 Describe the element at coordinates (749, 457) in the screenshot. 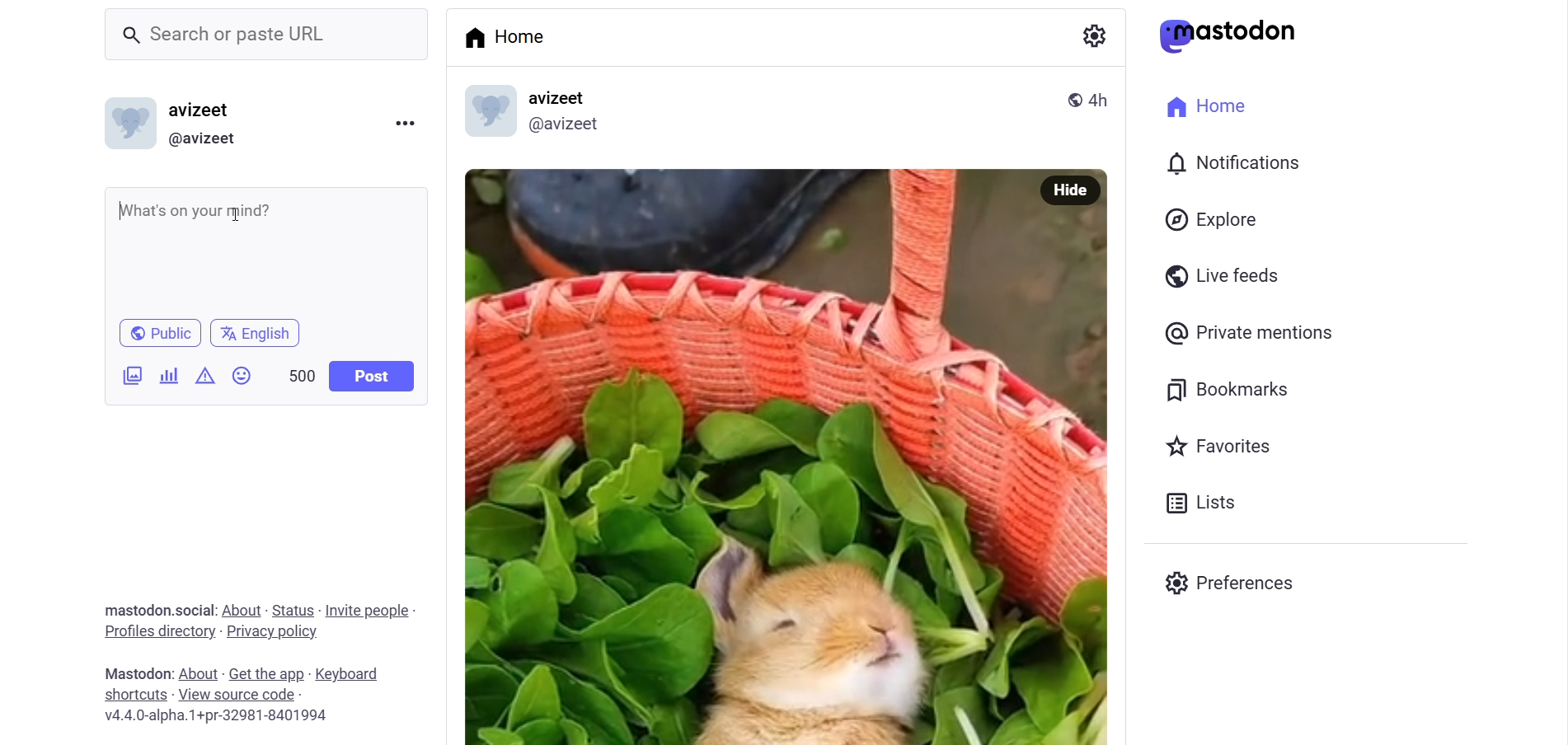

I see `Image Poted` at that location.